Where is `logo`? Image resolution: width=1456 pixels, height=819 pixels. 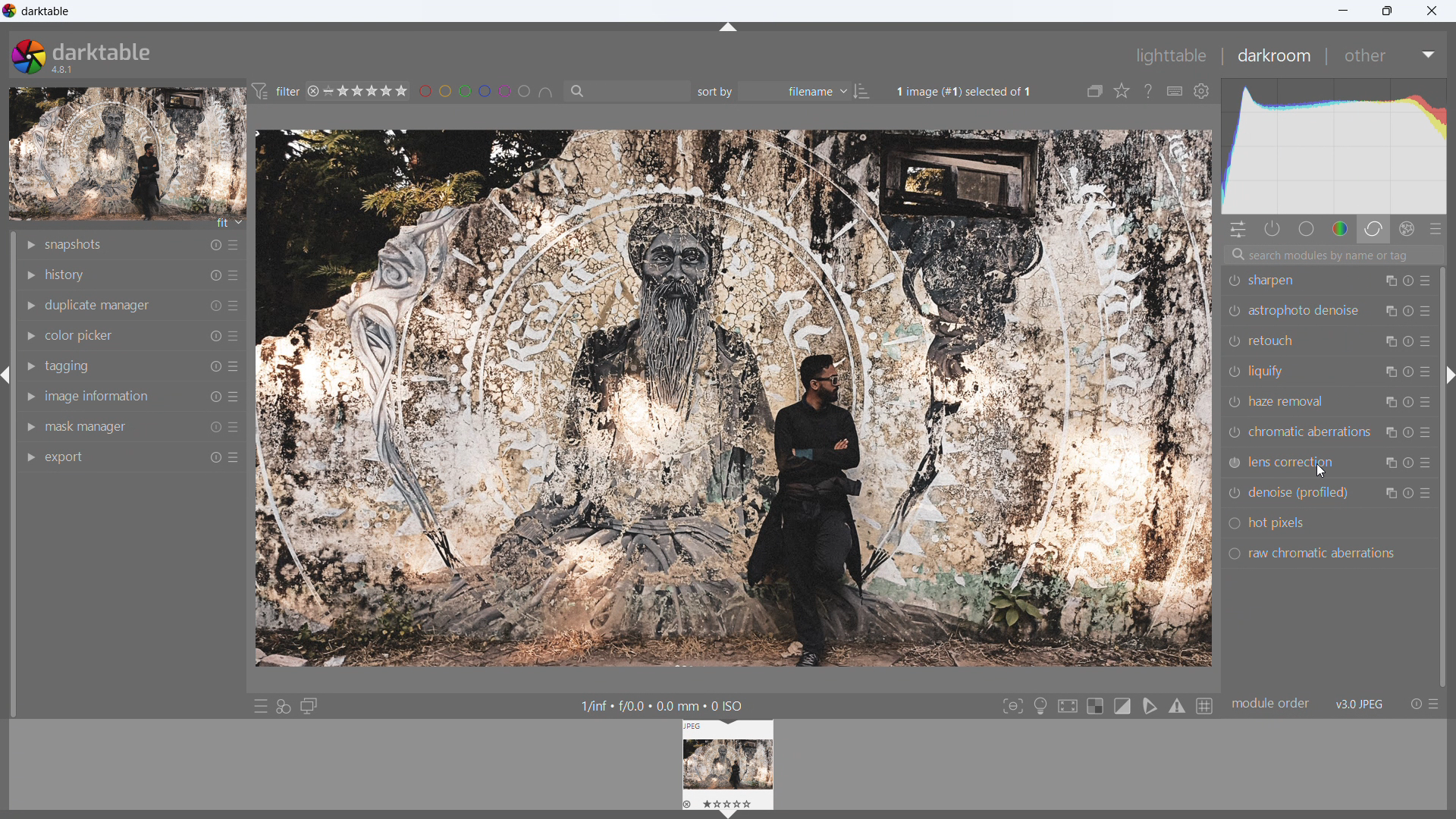 logo is located at coordinates (29, 55).